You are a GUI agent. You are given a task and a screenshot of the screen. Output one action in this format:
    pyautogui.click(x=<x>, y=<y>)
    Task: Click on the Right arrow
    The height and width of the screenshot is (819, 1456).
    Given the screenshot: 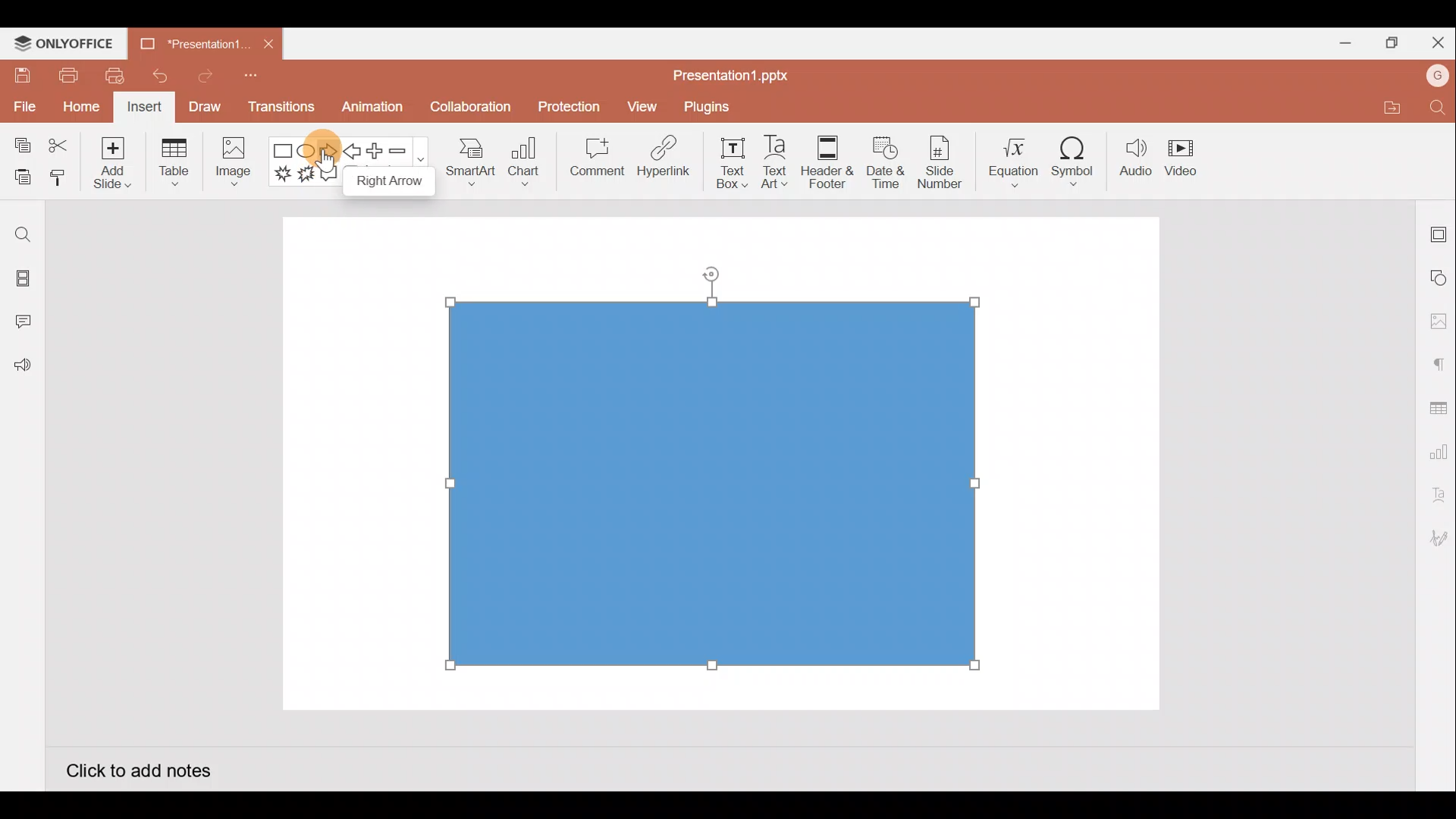 What is the action you would take?
    pyautogui.click(x=328, y=152)
    